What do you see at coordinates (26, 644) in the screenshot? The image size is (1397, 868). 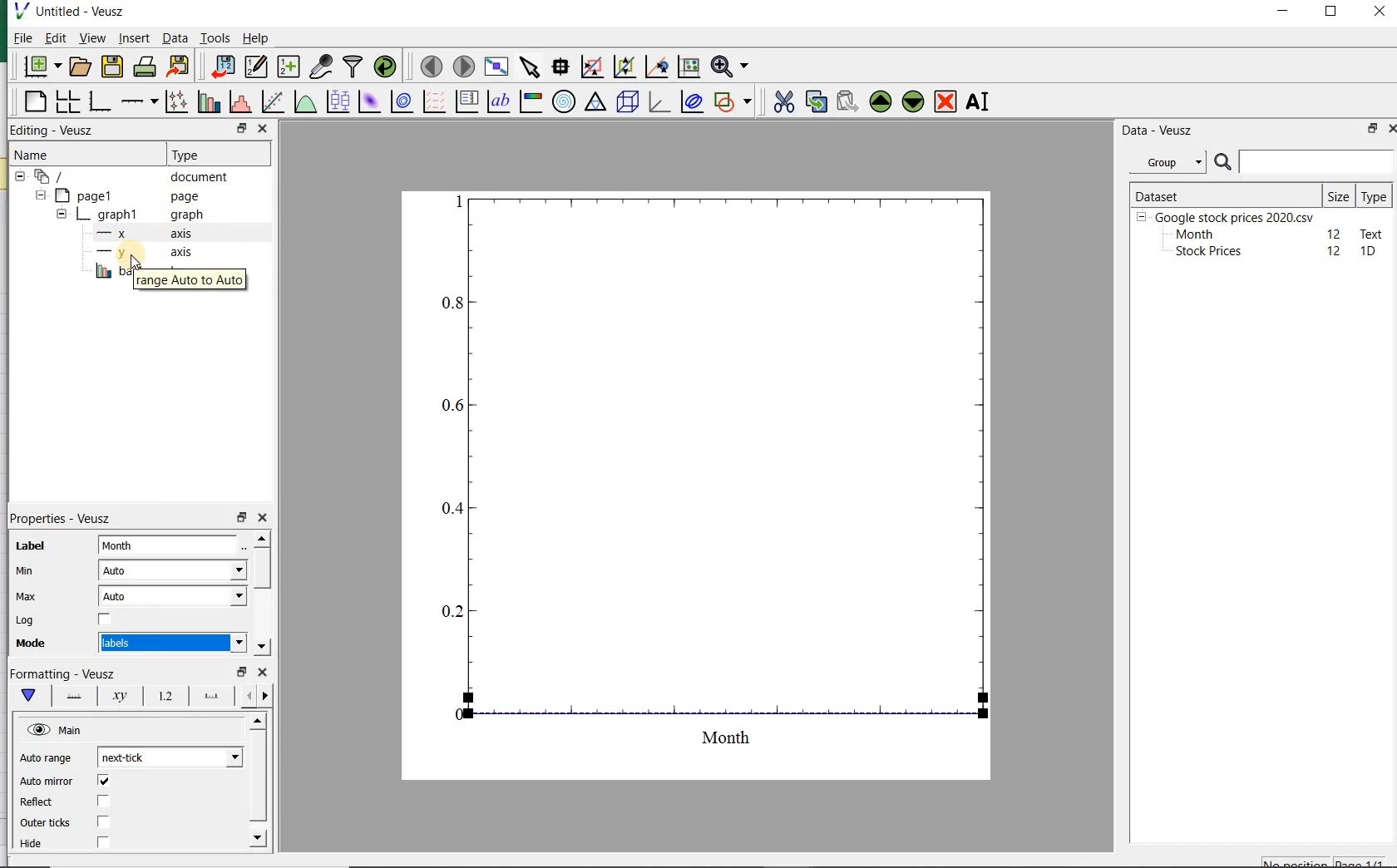 I see `Mode` at bounding box center [26, 644].